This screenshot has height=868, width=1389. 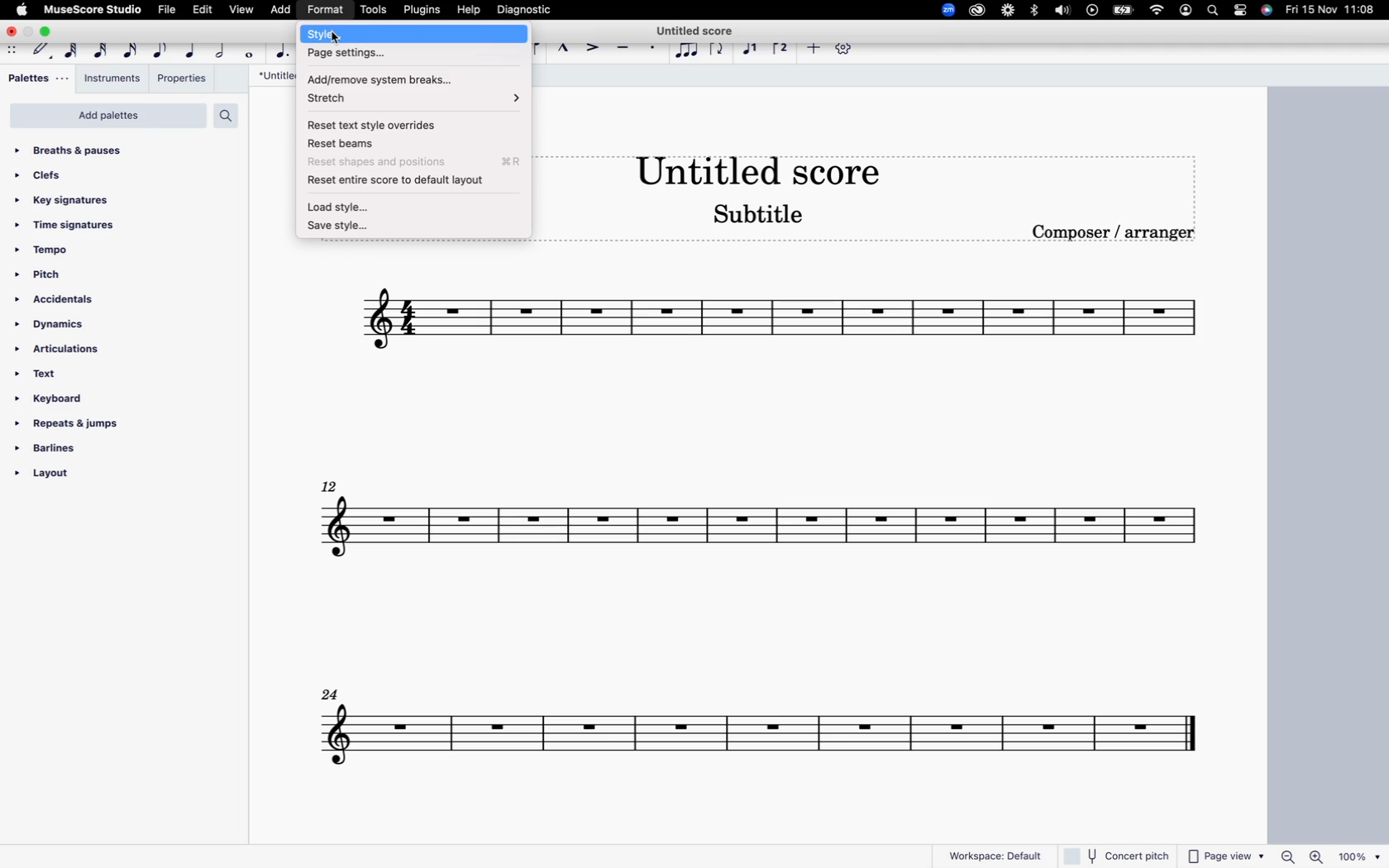 What do you see at coordinates (45, 375) in the screenshot?
I see `text` at bounding box center [45, 375].